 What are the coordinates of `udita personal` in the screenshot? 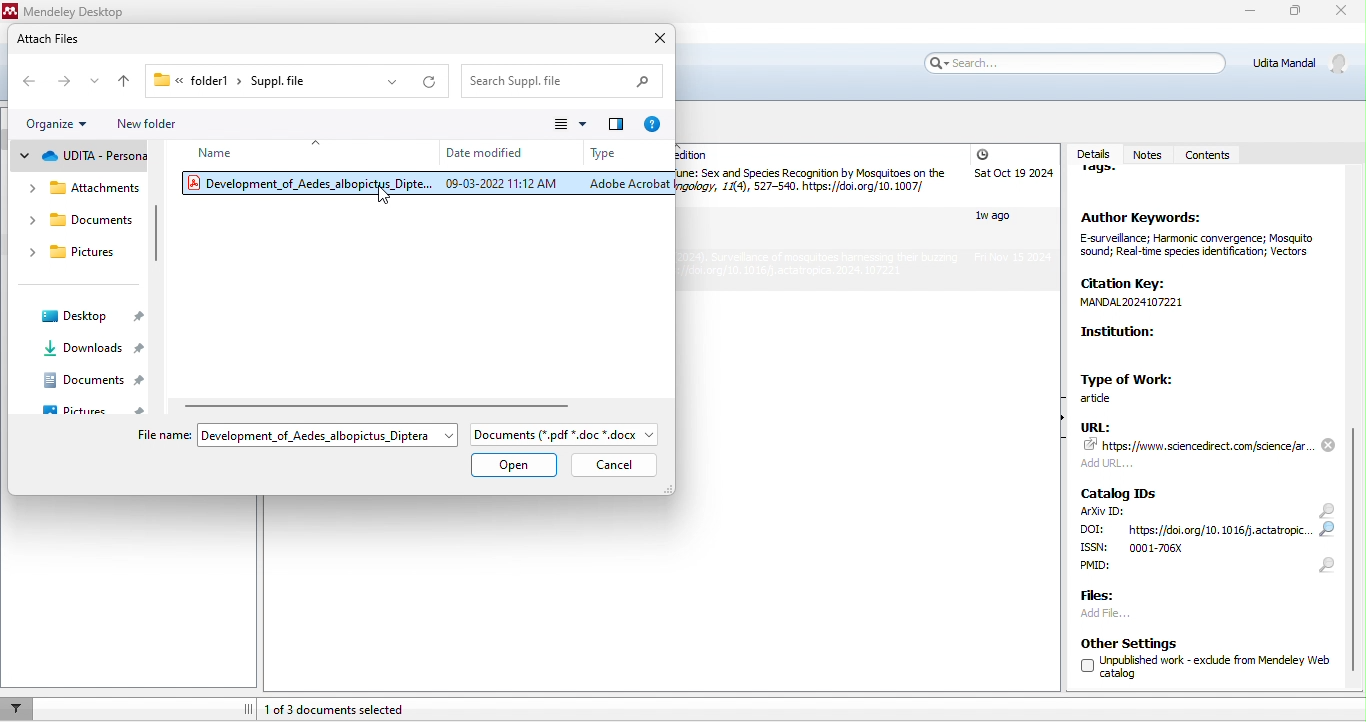 It's located at (81, 160).